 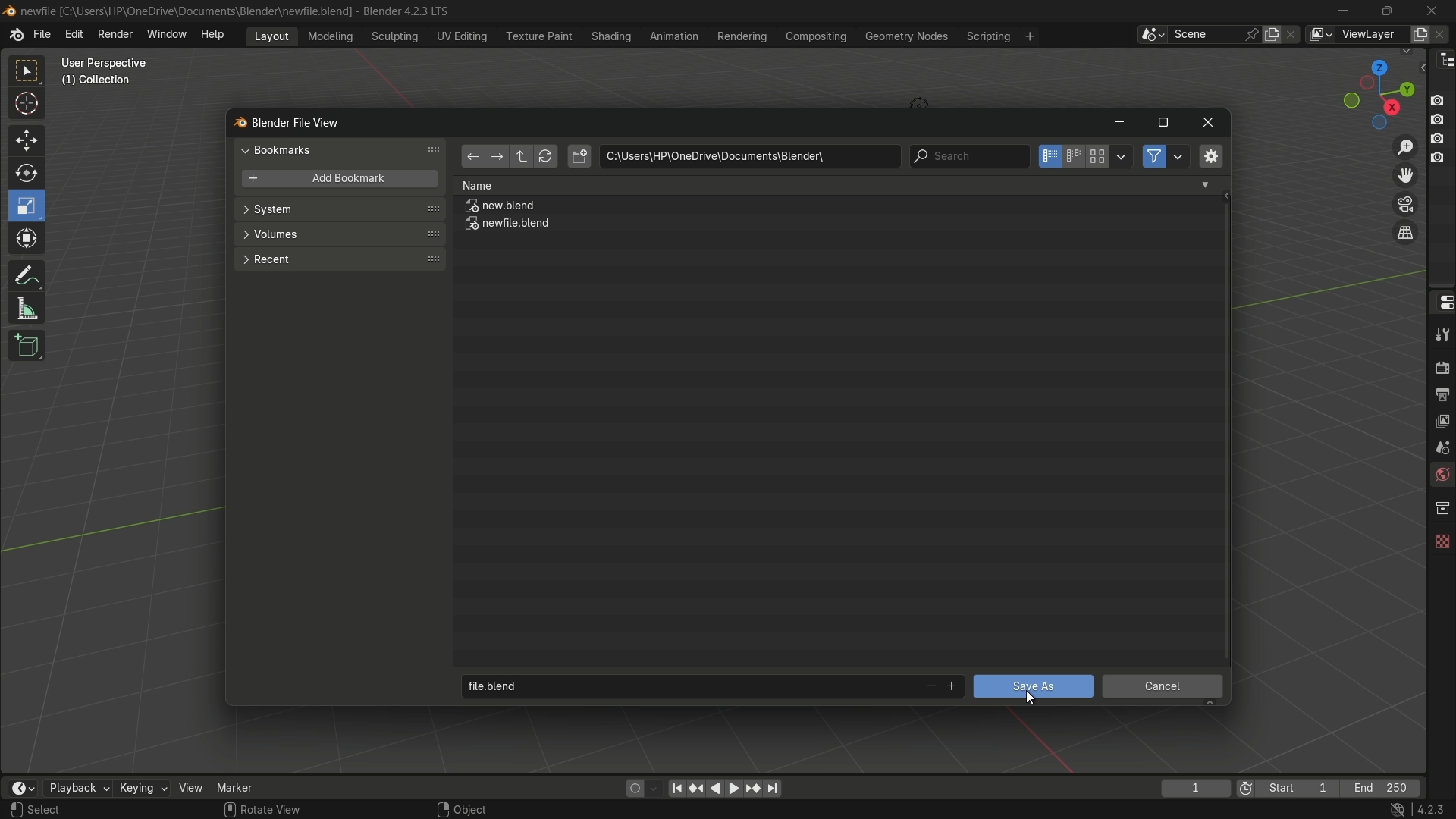 I want to click on add view layer, so click(x=1418, y=33).